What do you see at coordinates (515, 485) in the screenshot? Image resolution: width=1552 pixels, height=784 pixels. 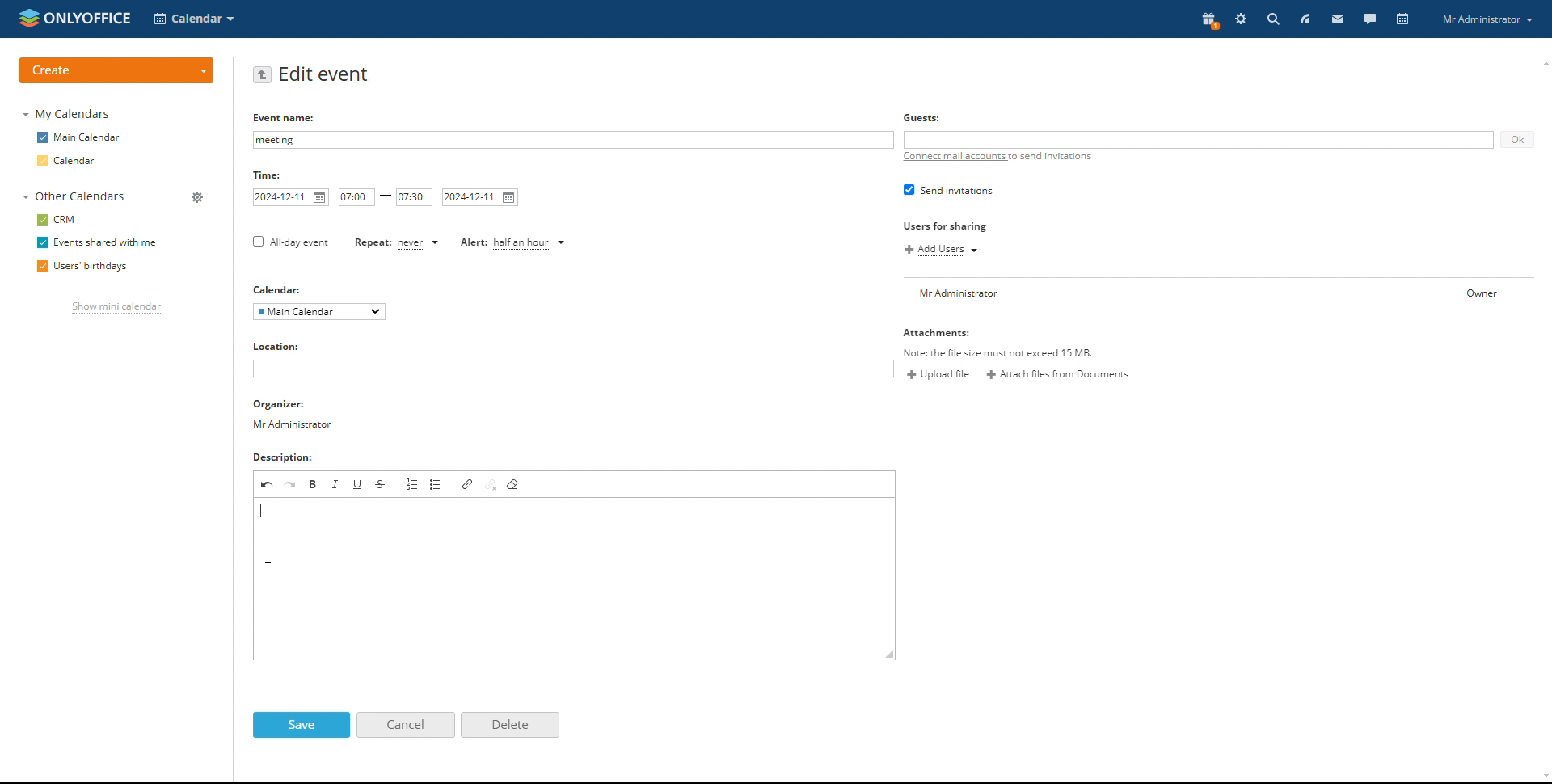 I see `remove format` at bounding box center [515, 485].